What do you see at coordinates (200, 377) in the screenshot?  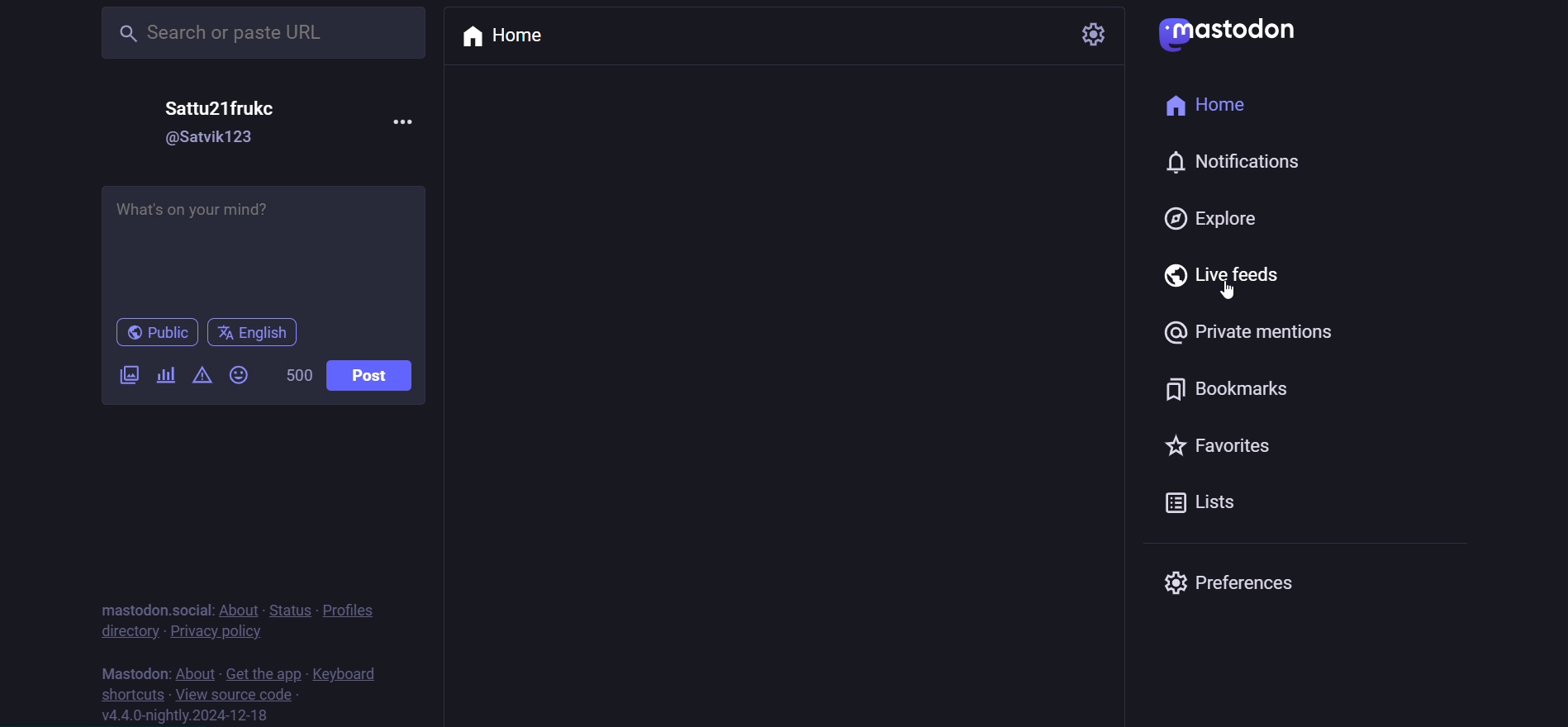 I see `content warning` at bounding box center [200, 377].